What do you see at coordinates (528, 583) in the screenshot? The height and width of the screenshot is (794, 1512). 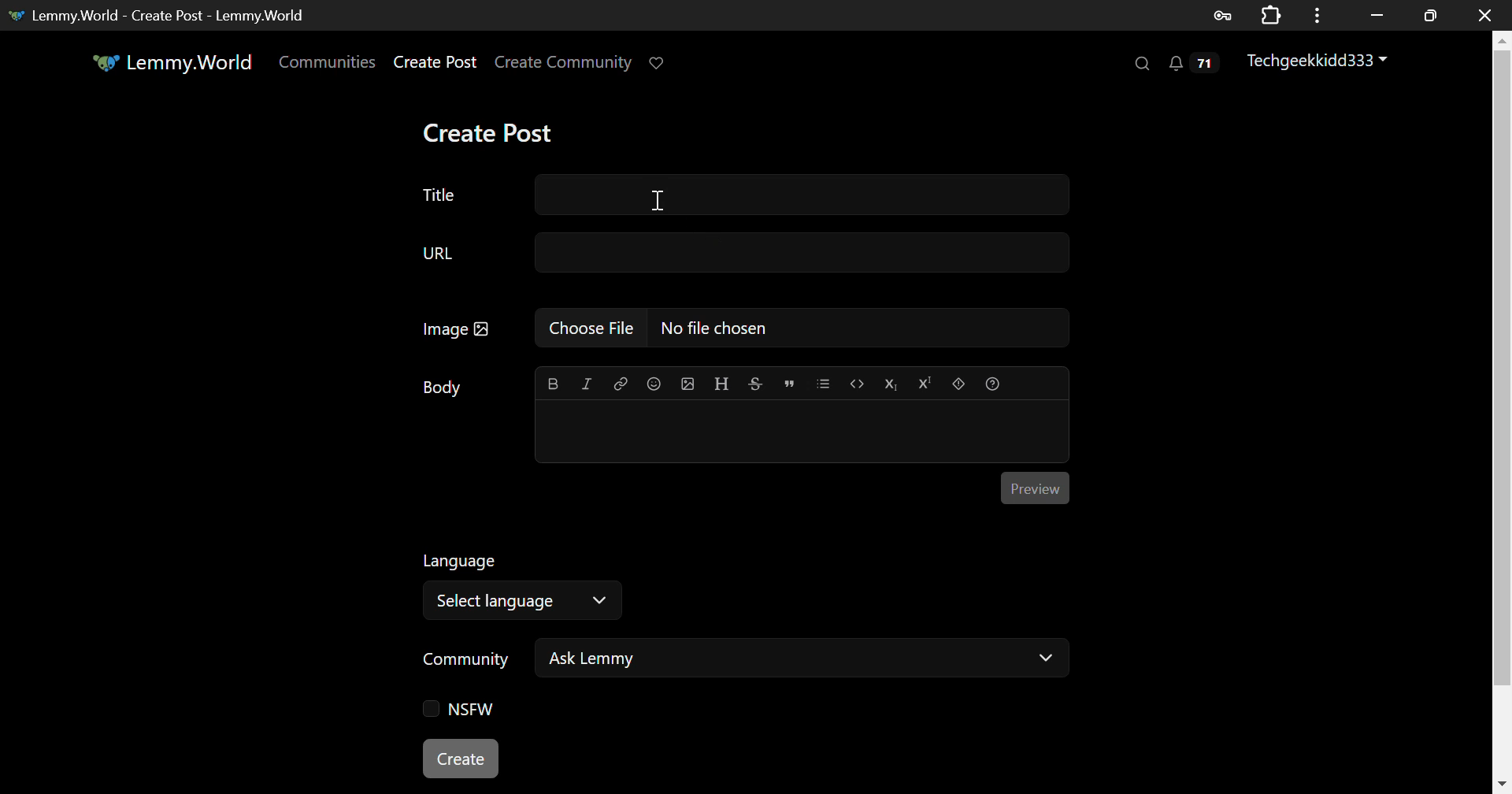 I see `Select Language` at bounding box center [528, 583].